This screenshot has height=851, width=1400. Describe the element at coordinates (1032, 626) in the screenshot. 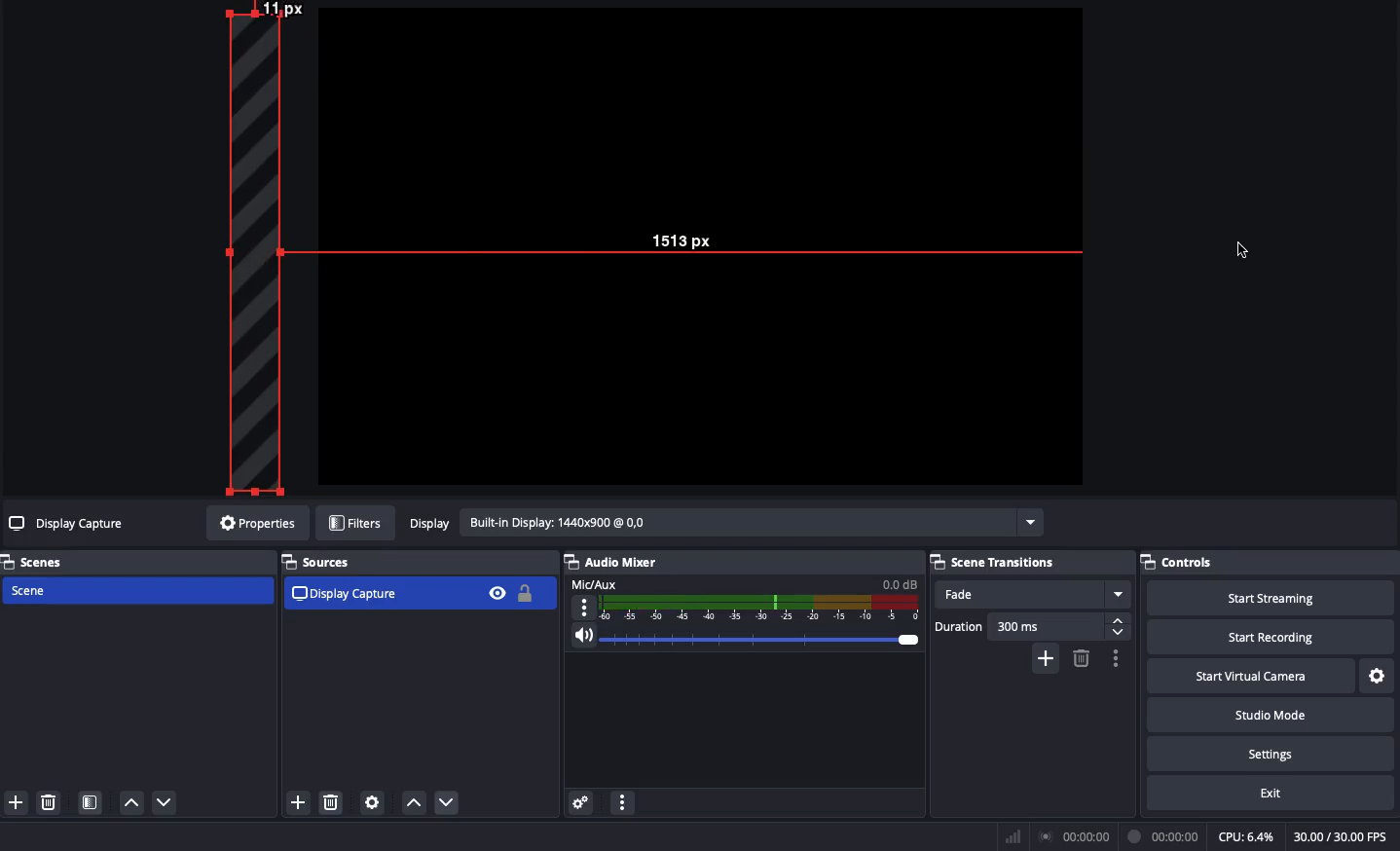

I see `Duration` at that location.